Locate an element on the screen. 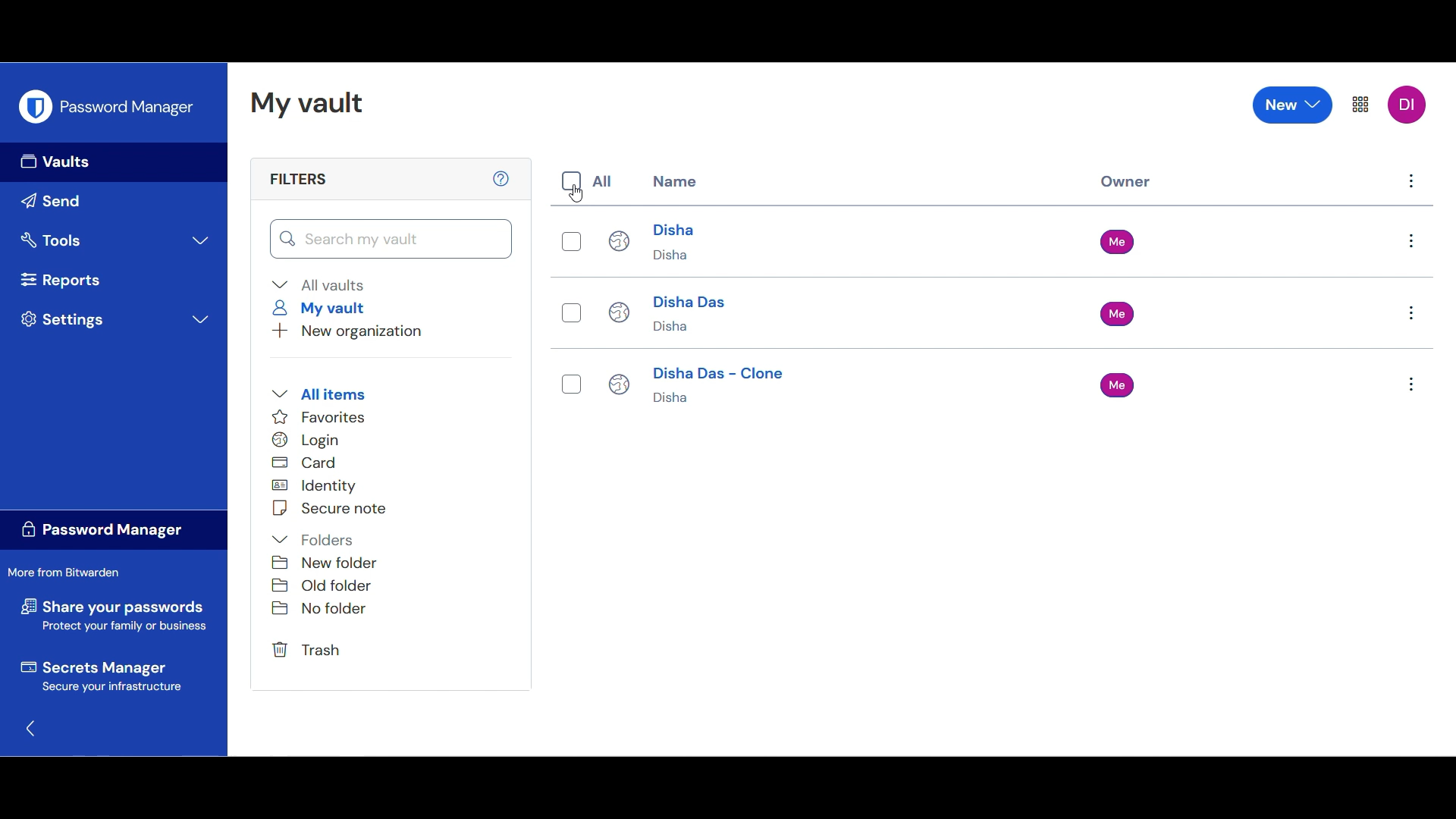  Indicates toggle on/off is located at coordinates (573, 241).